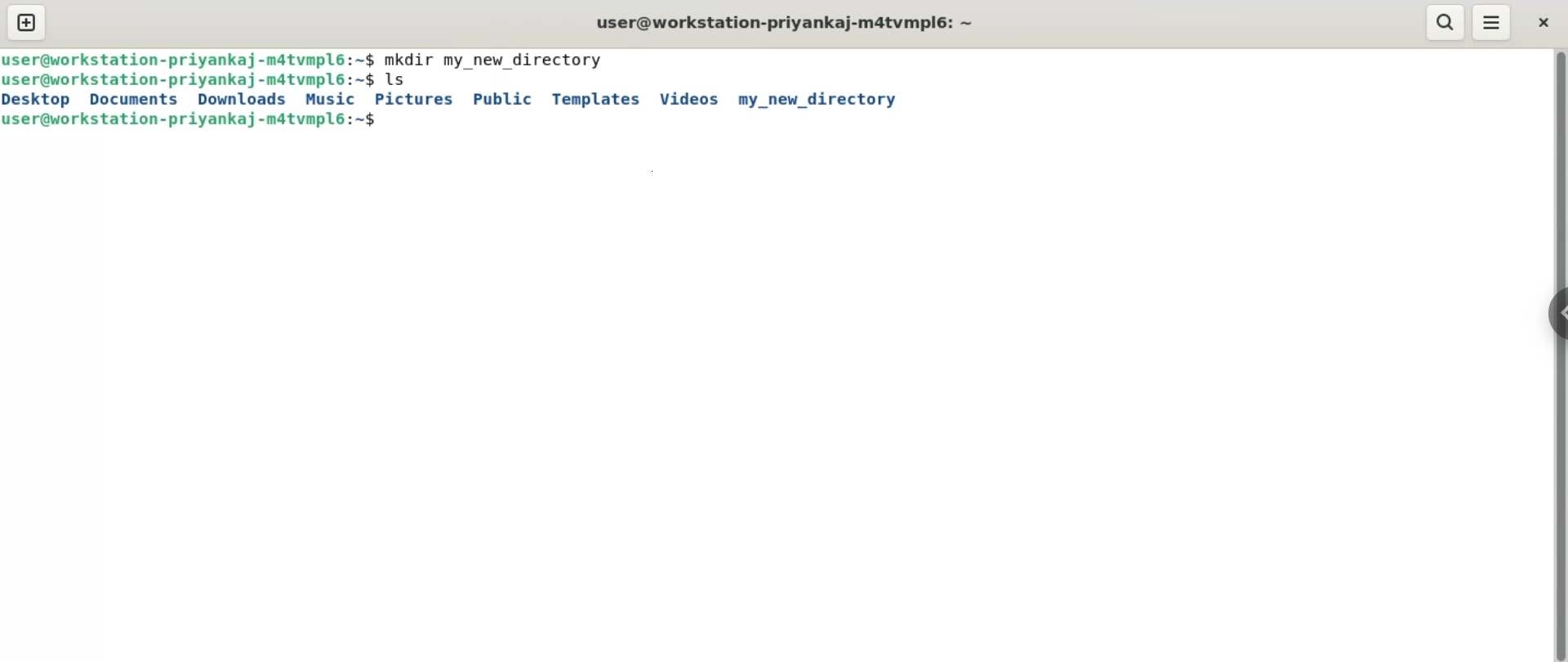  What do you see at coordinates (134, 99) in the screenshot?
I see `documents` at bounding box center [134, 99].